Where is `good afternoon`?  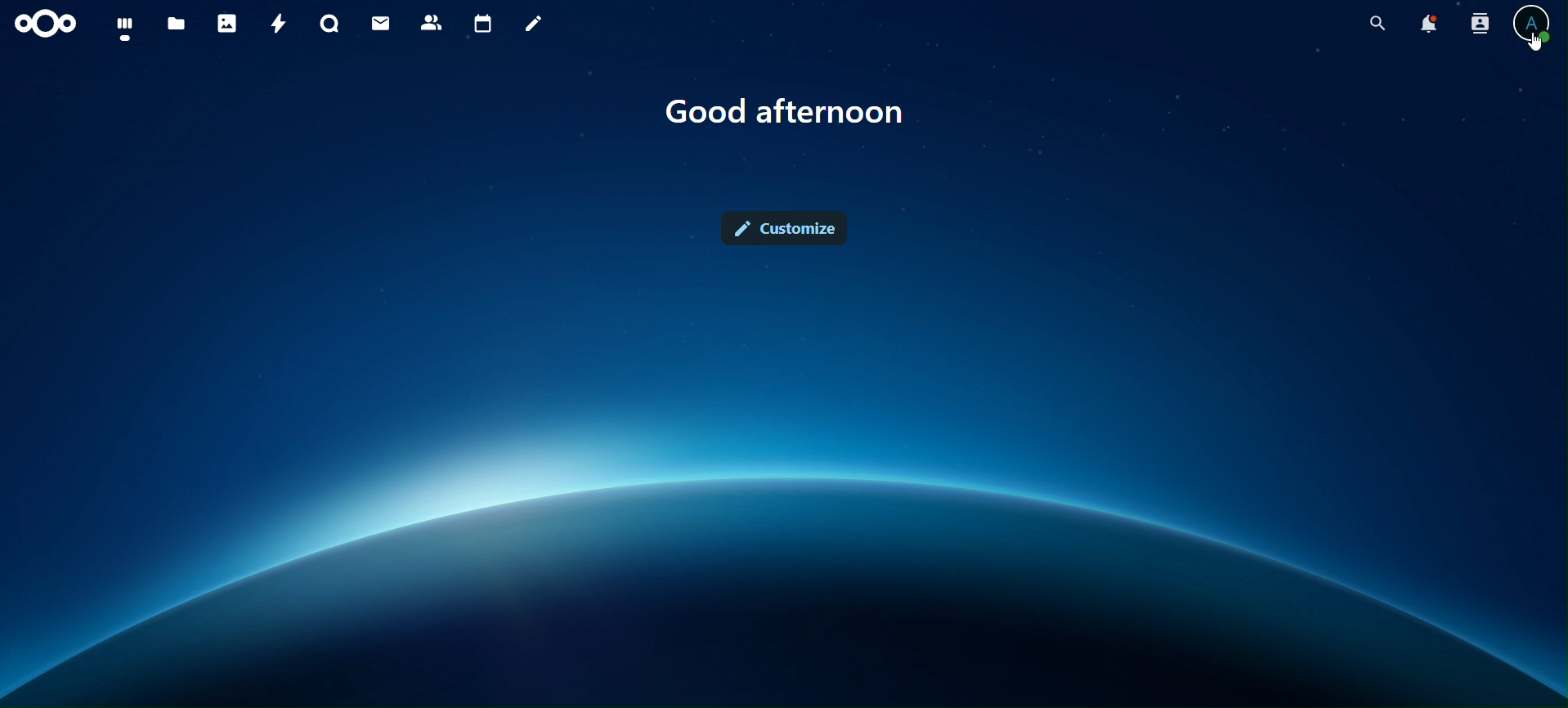
good afternoon is located at coordinates (794, 116).